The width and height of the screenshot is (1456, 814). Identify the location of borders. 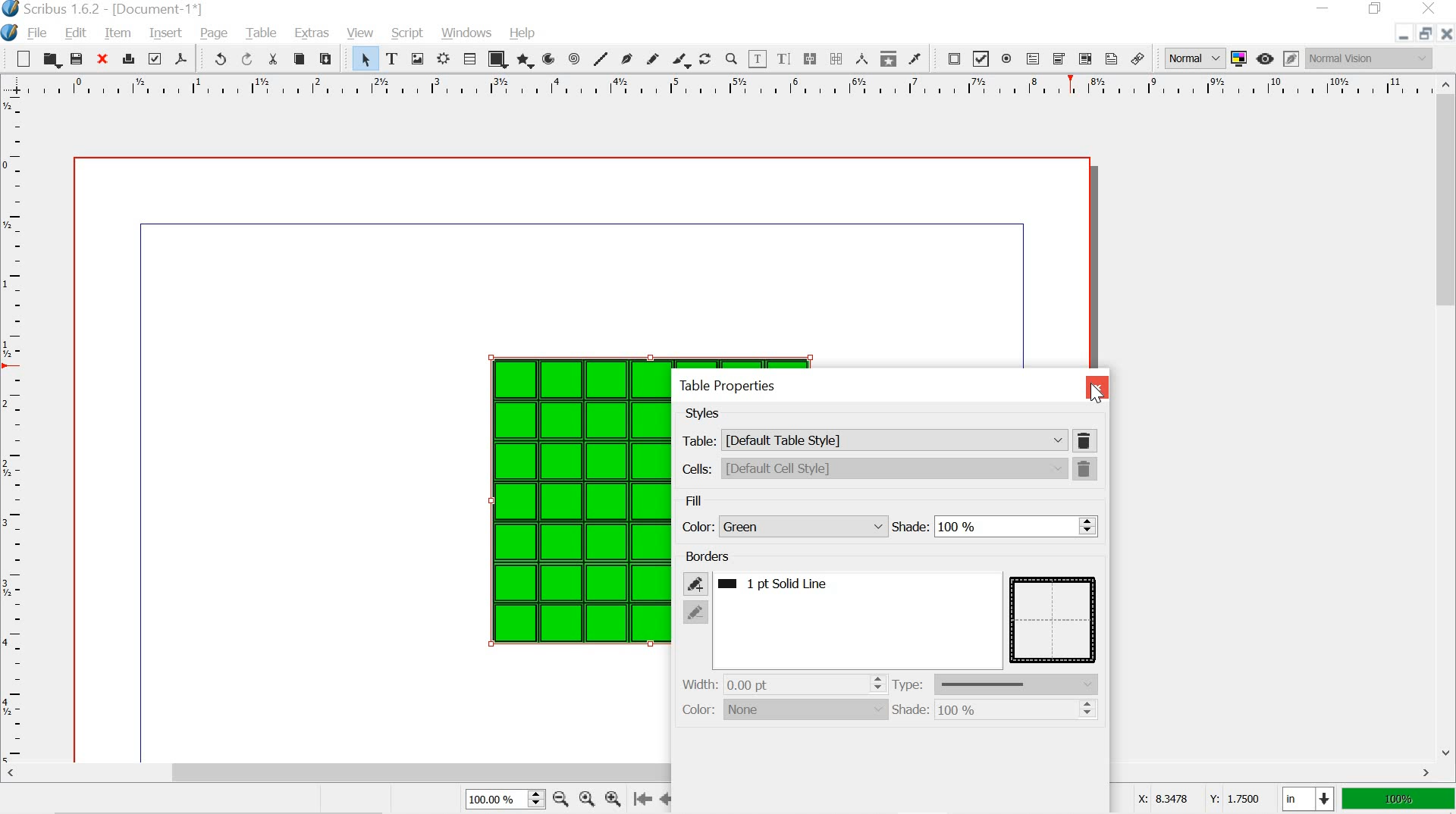
(701, 556).